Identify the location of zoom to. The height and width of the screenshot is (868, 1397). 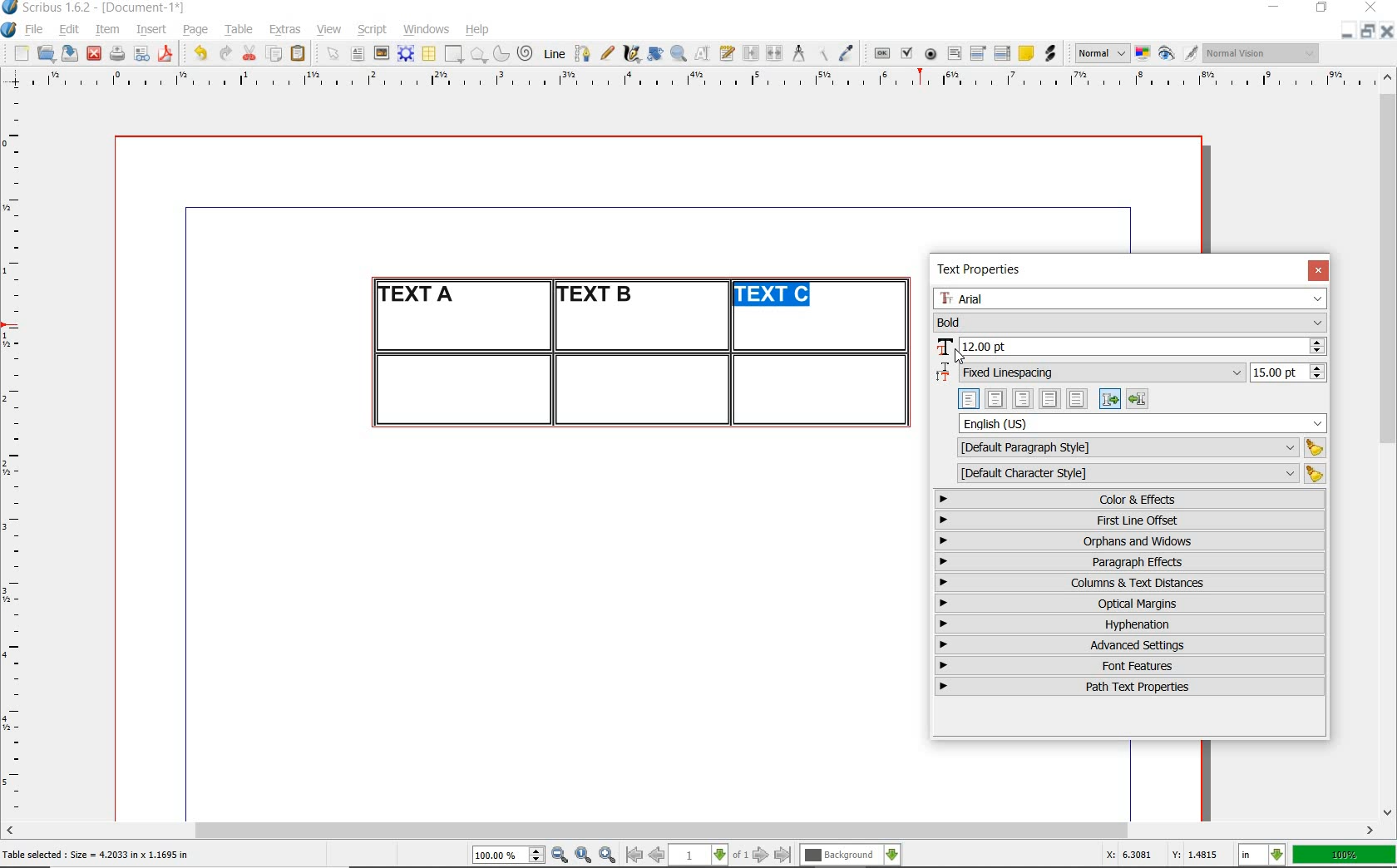
(584, 856).